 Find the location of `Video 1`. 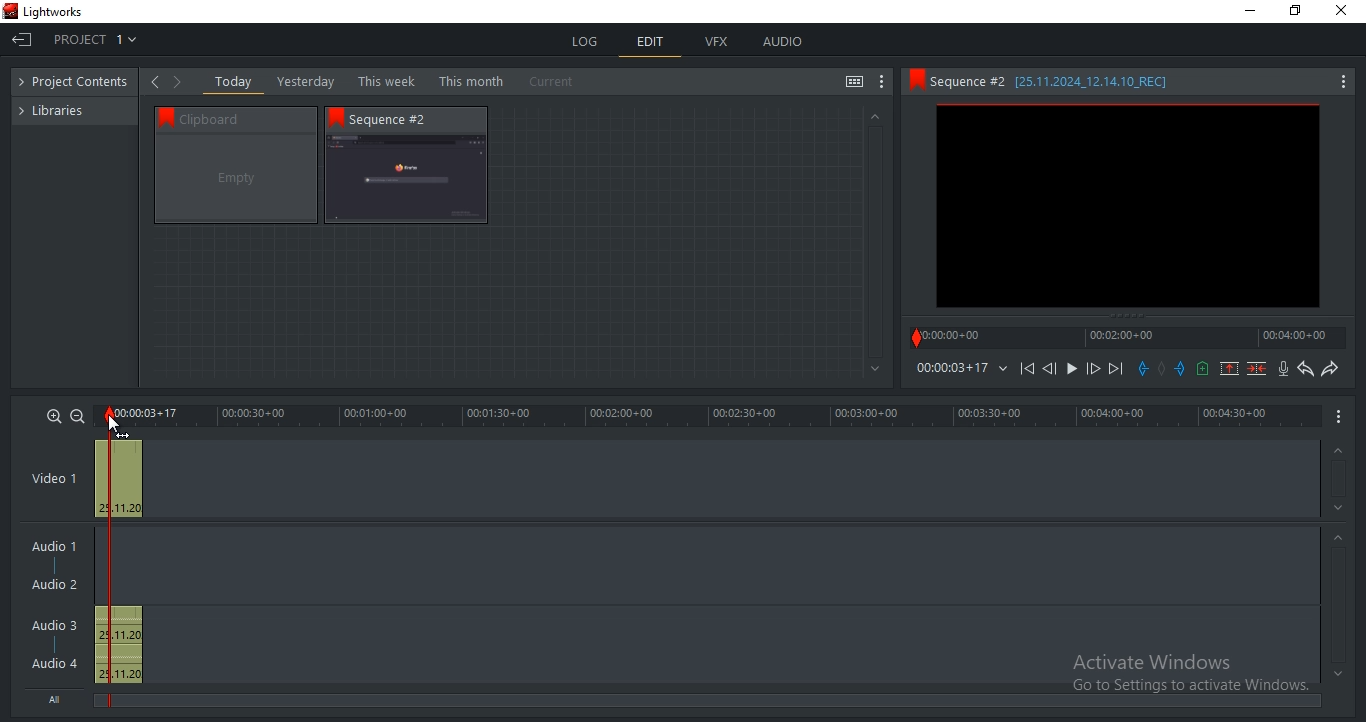

Video 1 is located at coordinates (54, 480).